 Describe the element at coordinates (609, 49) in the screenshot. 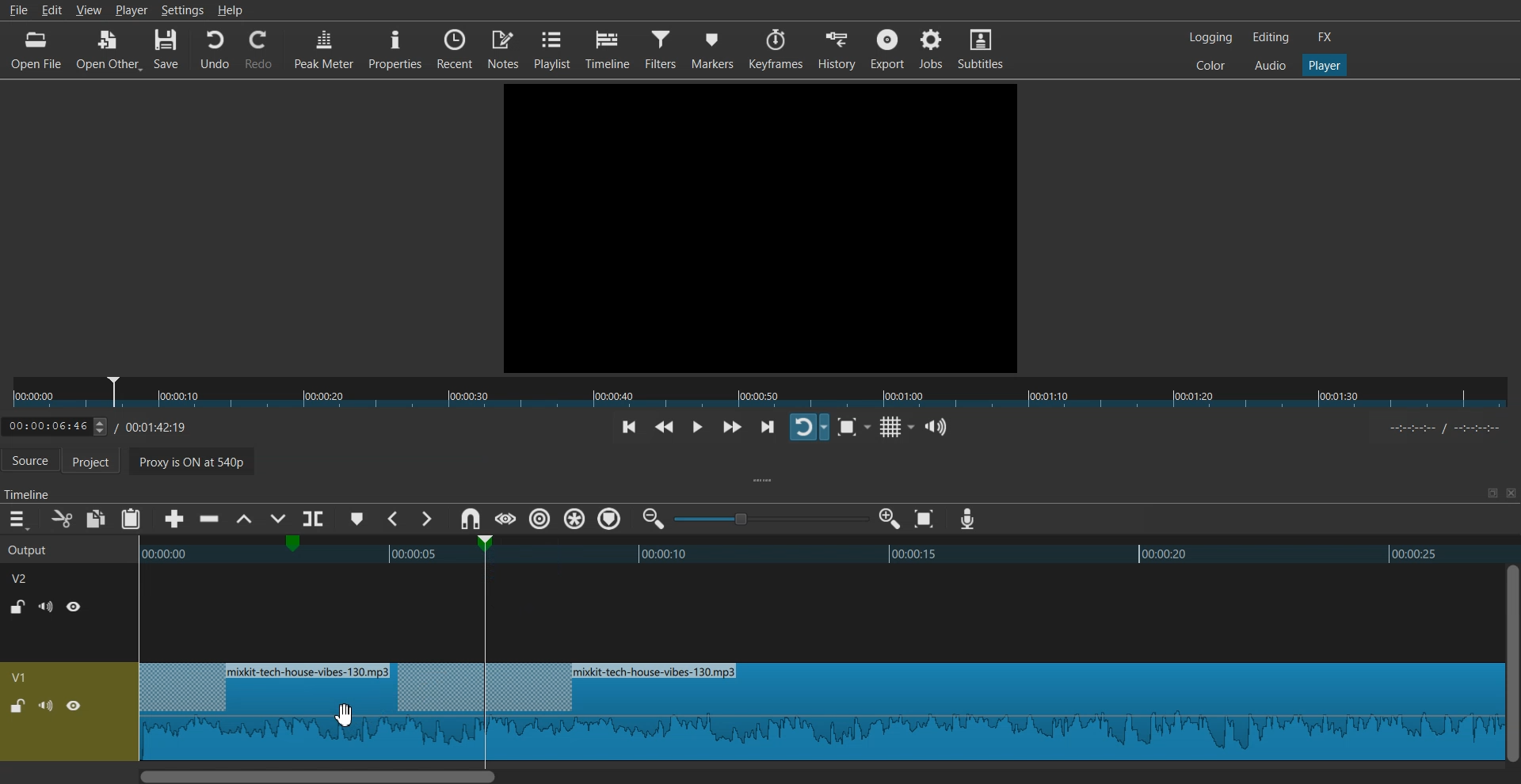

I see `Timeline` at that location.